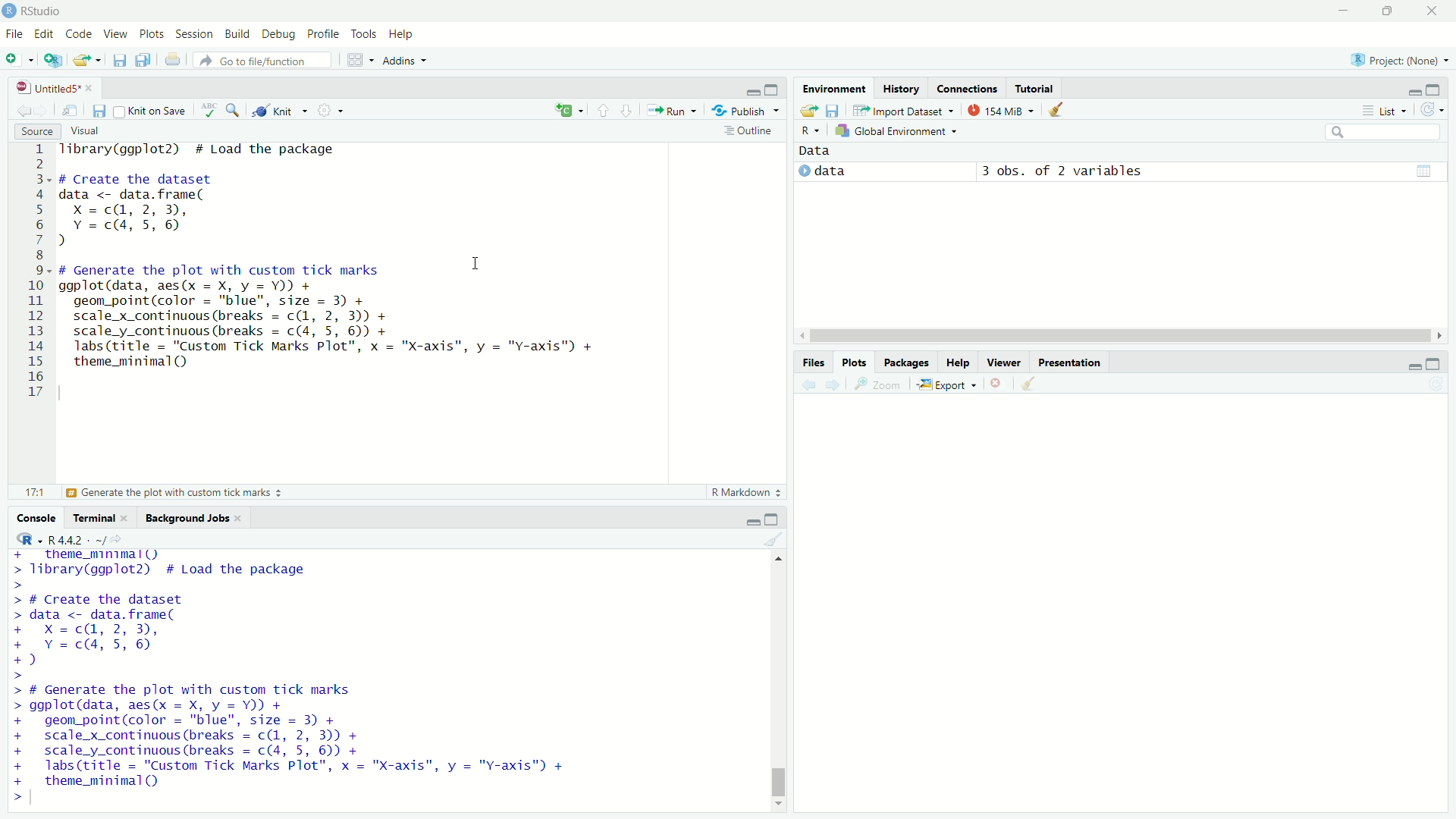  Describe the element at coordinates (801, 335) in the screenshot. I see `move left` at that location.